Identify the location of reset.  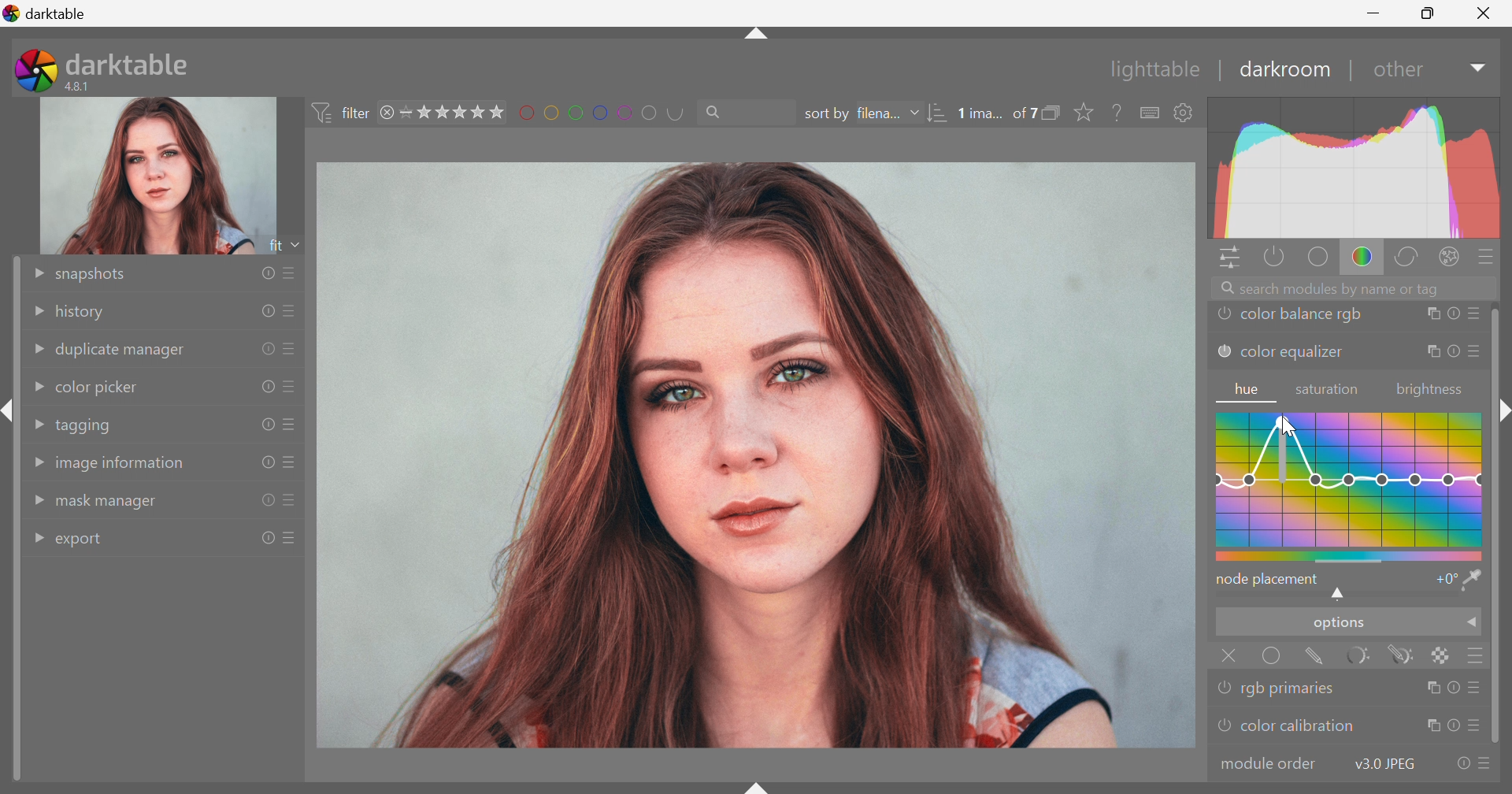
(263, 387).